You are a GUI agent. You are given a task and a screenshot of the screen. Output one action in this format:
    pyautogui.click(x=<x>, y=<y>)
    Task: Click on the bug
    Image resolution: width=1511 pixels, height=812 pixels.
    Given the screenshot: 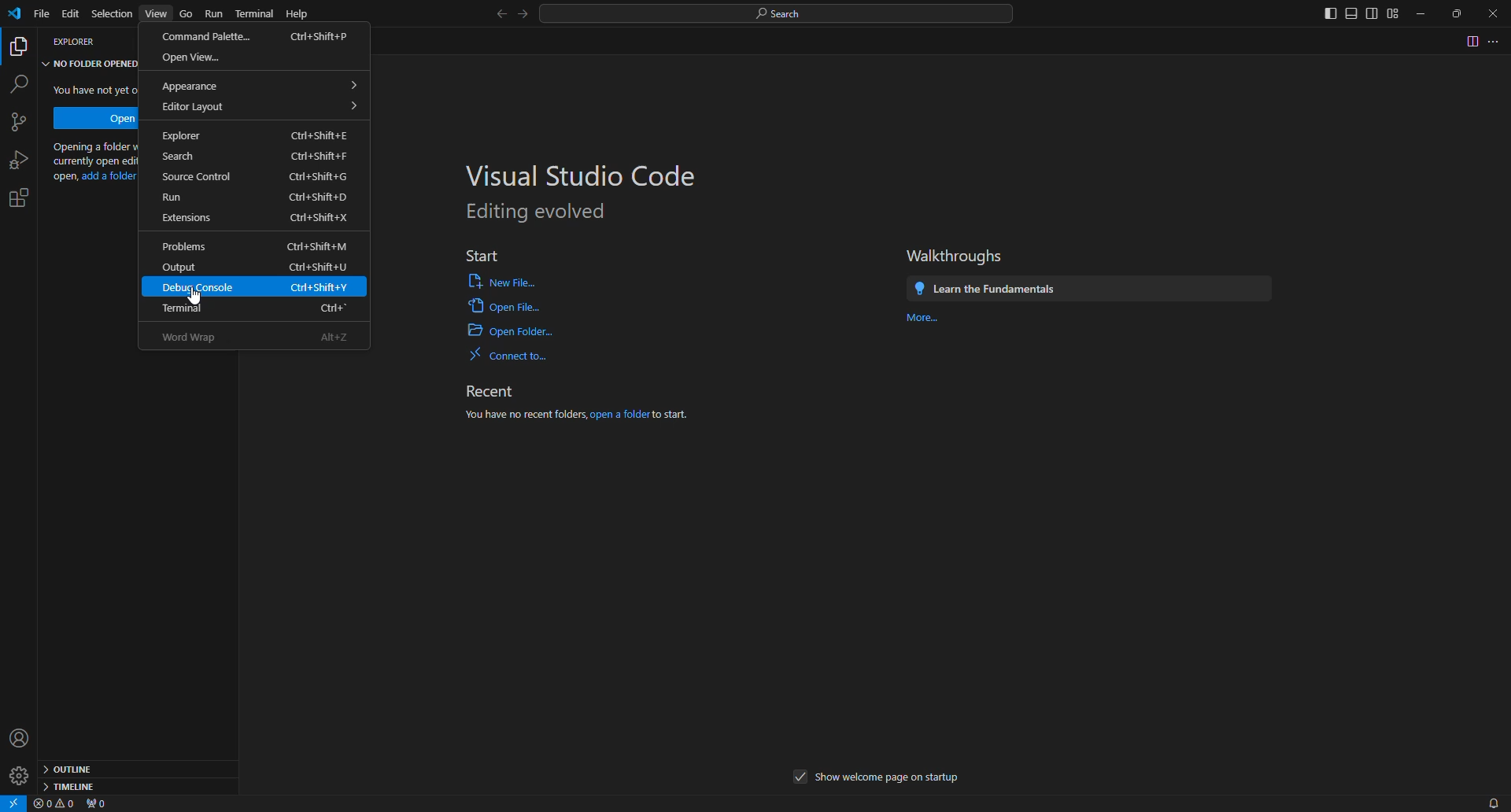 What is the action you would take?
    pyautogui.click(x=16, y=157)
    